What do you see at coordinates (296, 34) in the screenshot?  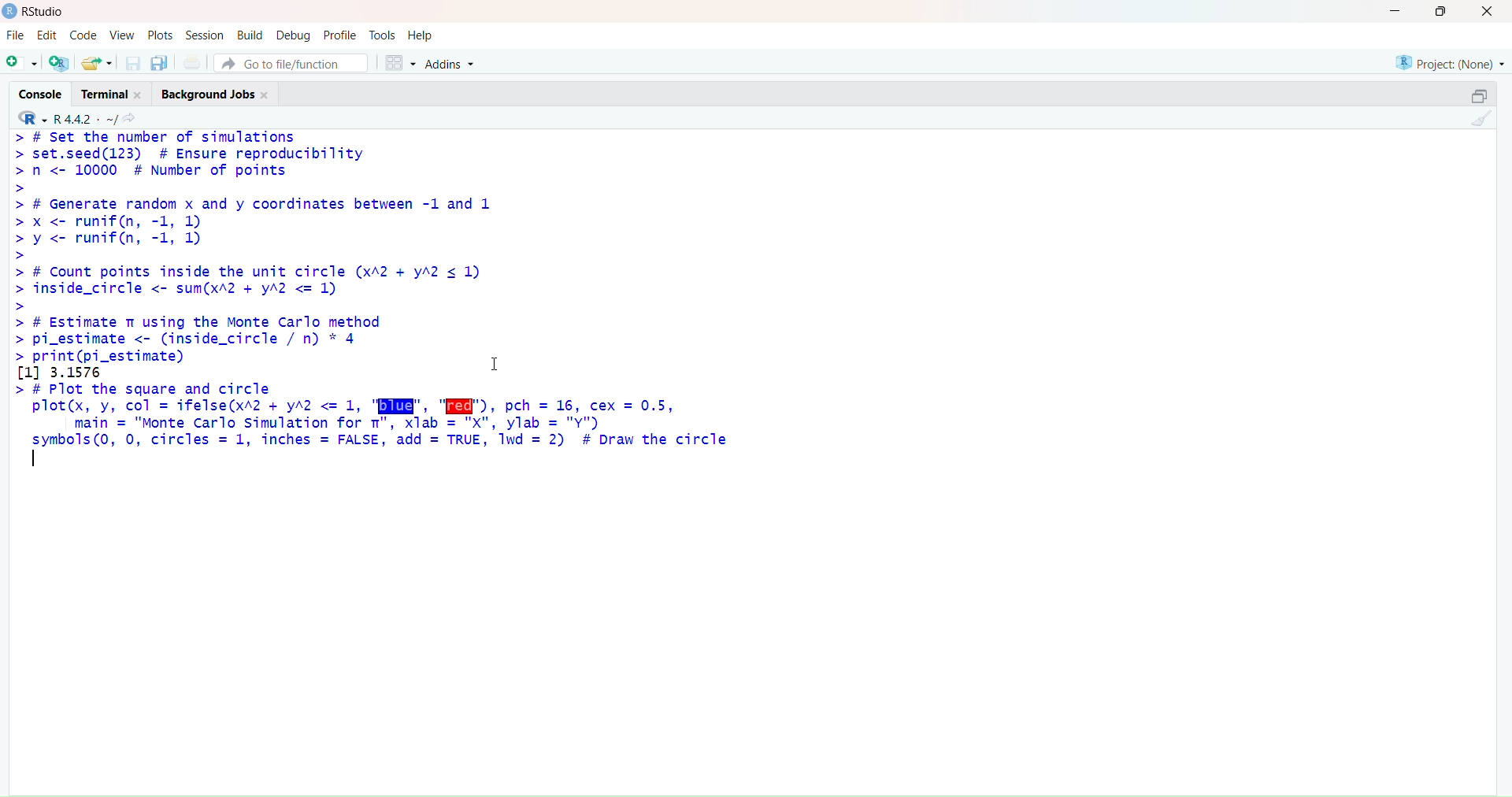 I see `Debug` at bounding box center [296, 34].